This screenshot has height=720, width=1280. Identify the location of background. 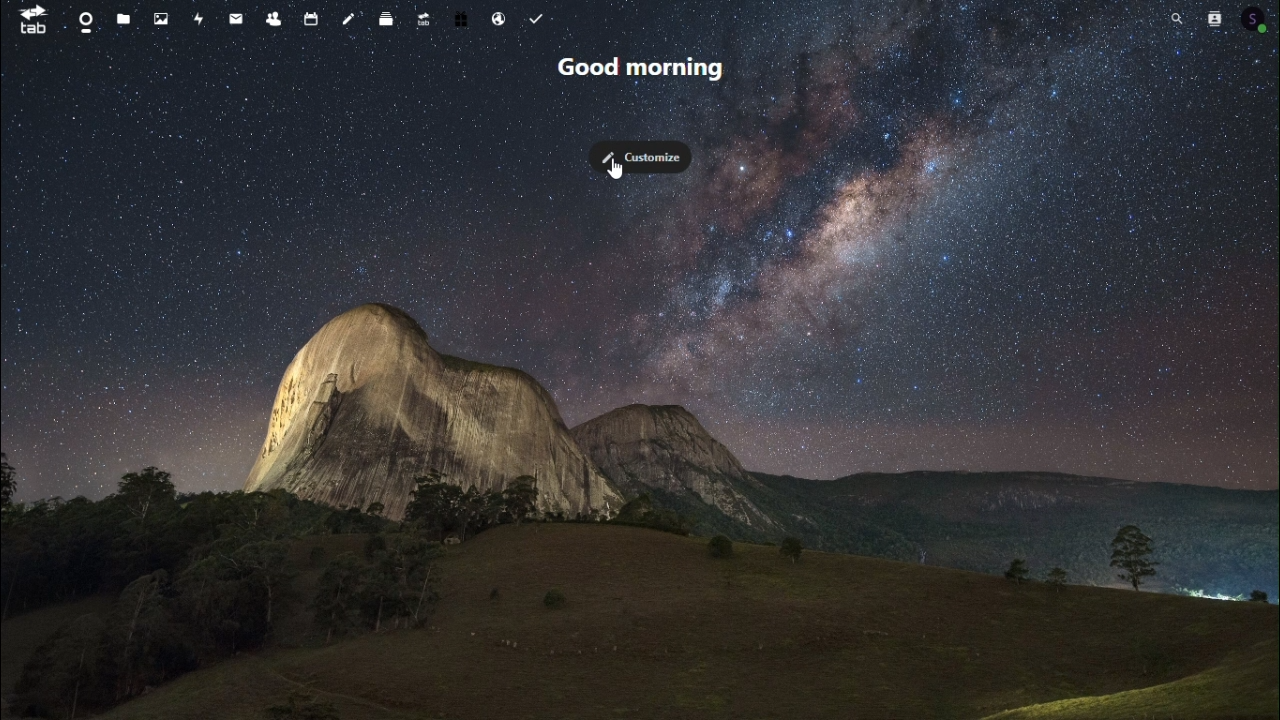
(473, 454).